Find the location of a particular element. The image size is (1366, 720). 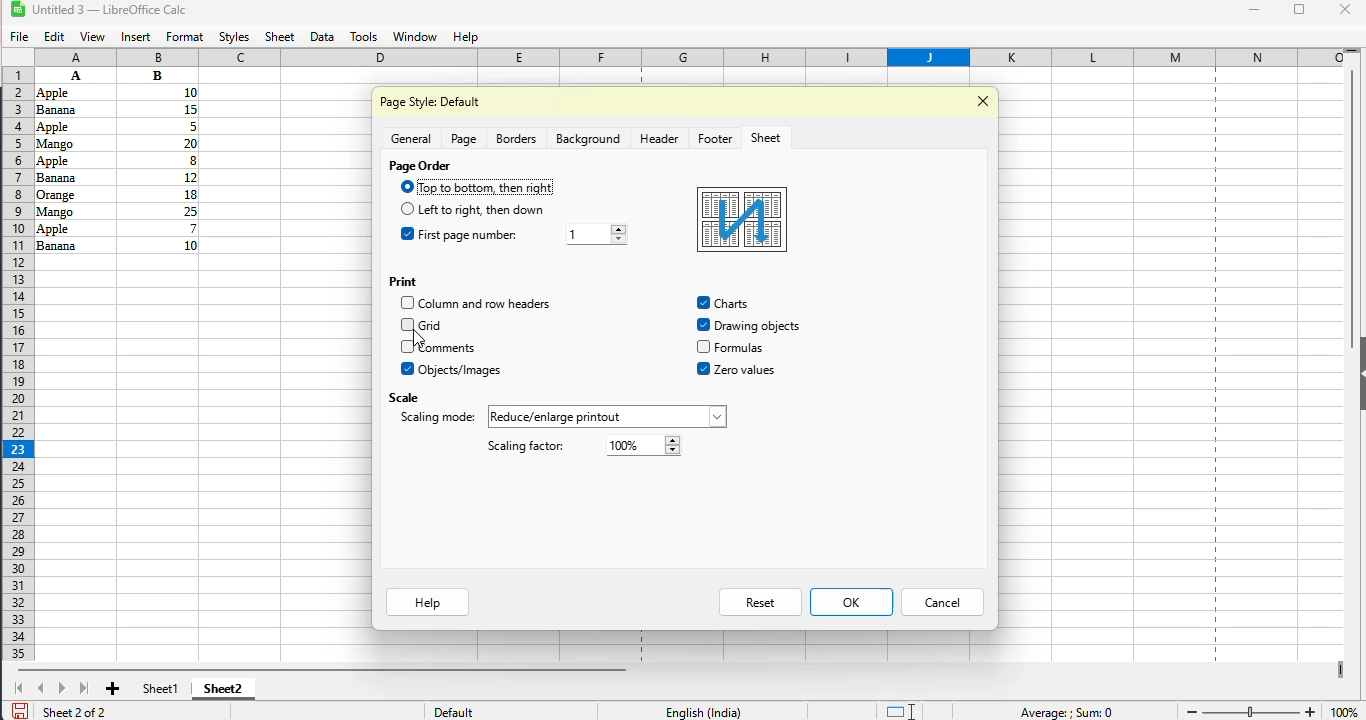

scroll to first sheet is located at coordinates (19, 688).